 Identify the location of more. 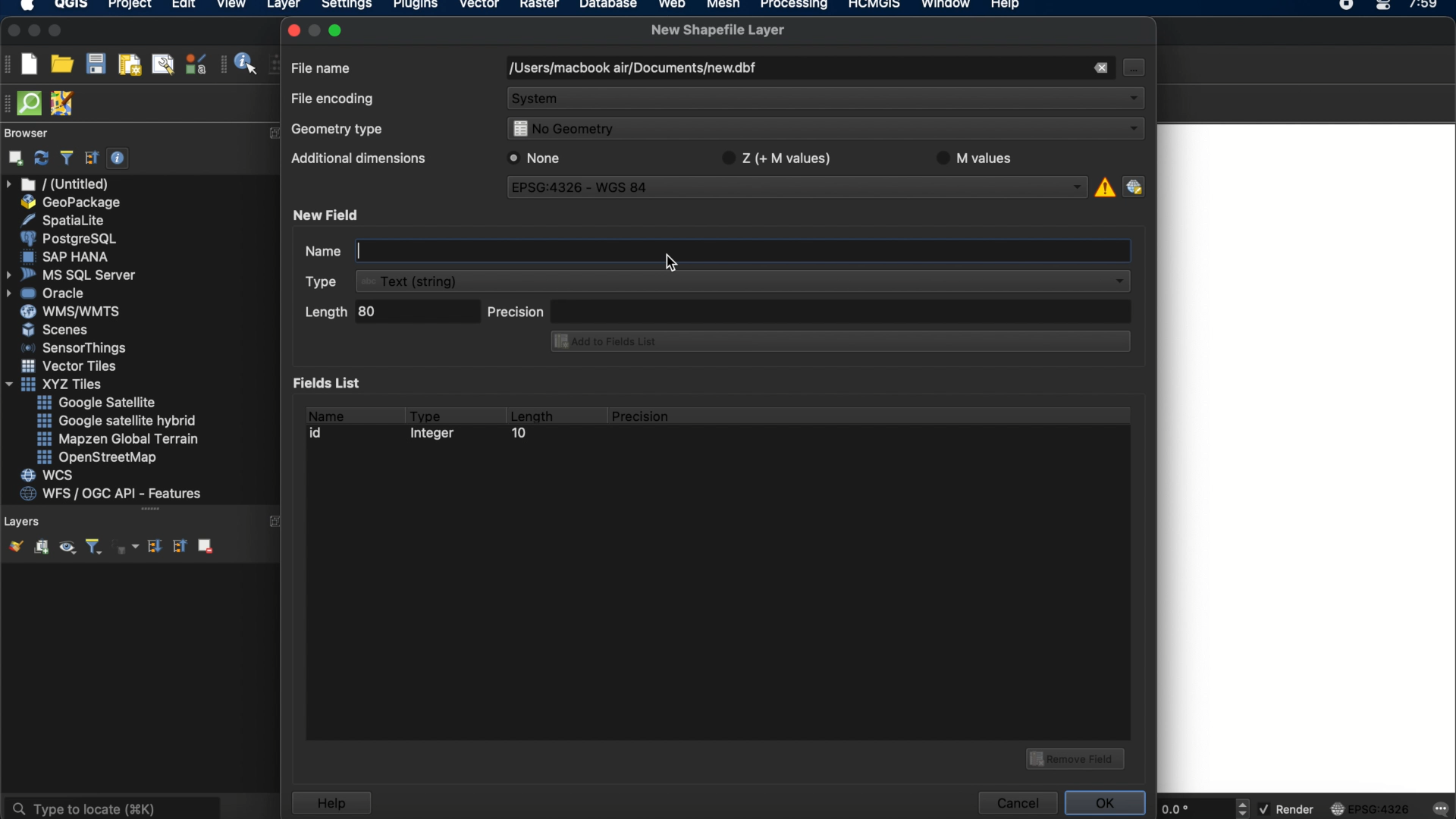
(150, 510).